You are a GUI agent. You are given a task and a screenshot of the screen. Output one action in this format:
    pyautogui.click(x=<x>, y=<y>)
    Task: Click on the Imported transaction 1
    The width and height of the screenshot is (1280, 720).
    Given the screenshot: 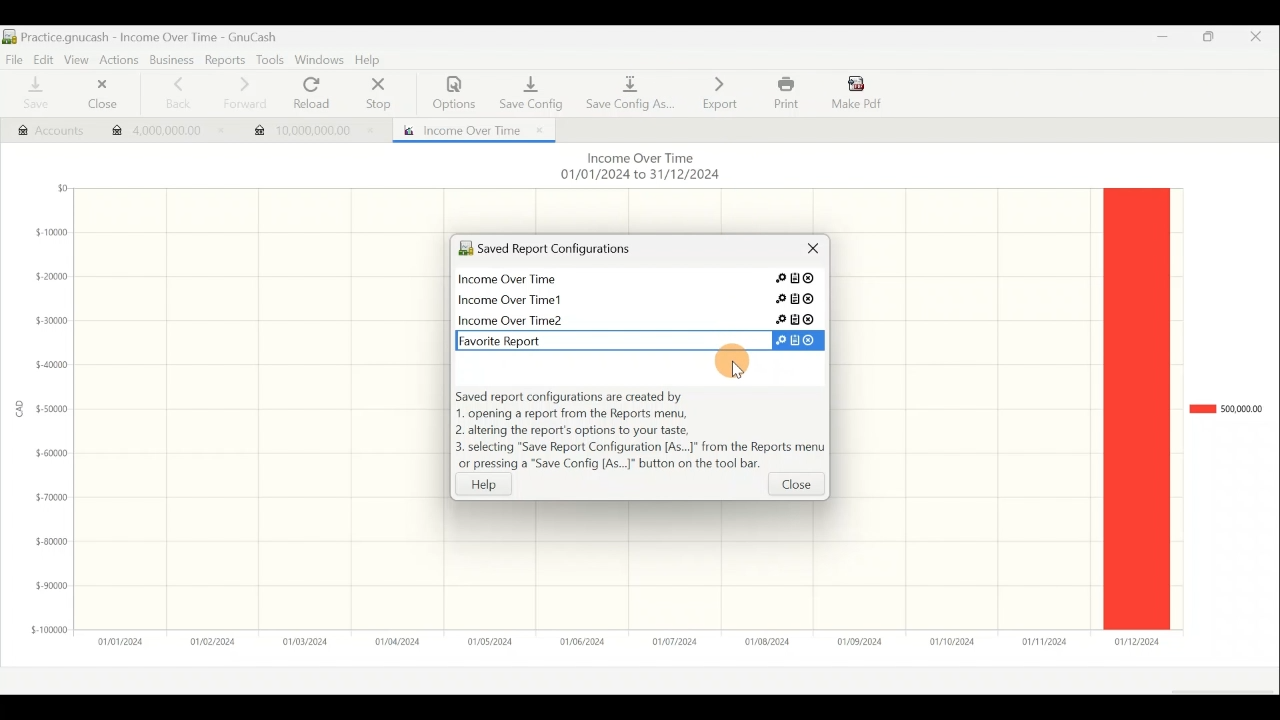 What is the action you would take?
    pyautogui.click(x=161, y=133)
    